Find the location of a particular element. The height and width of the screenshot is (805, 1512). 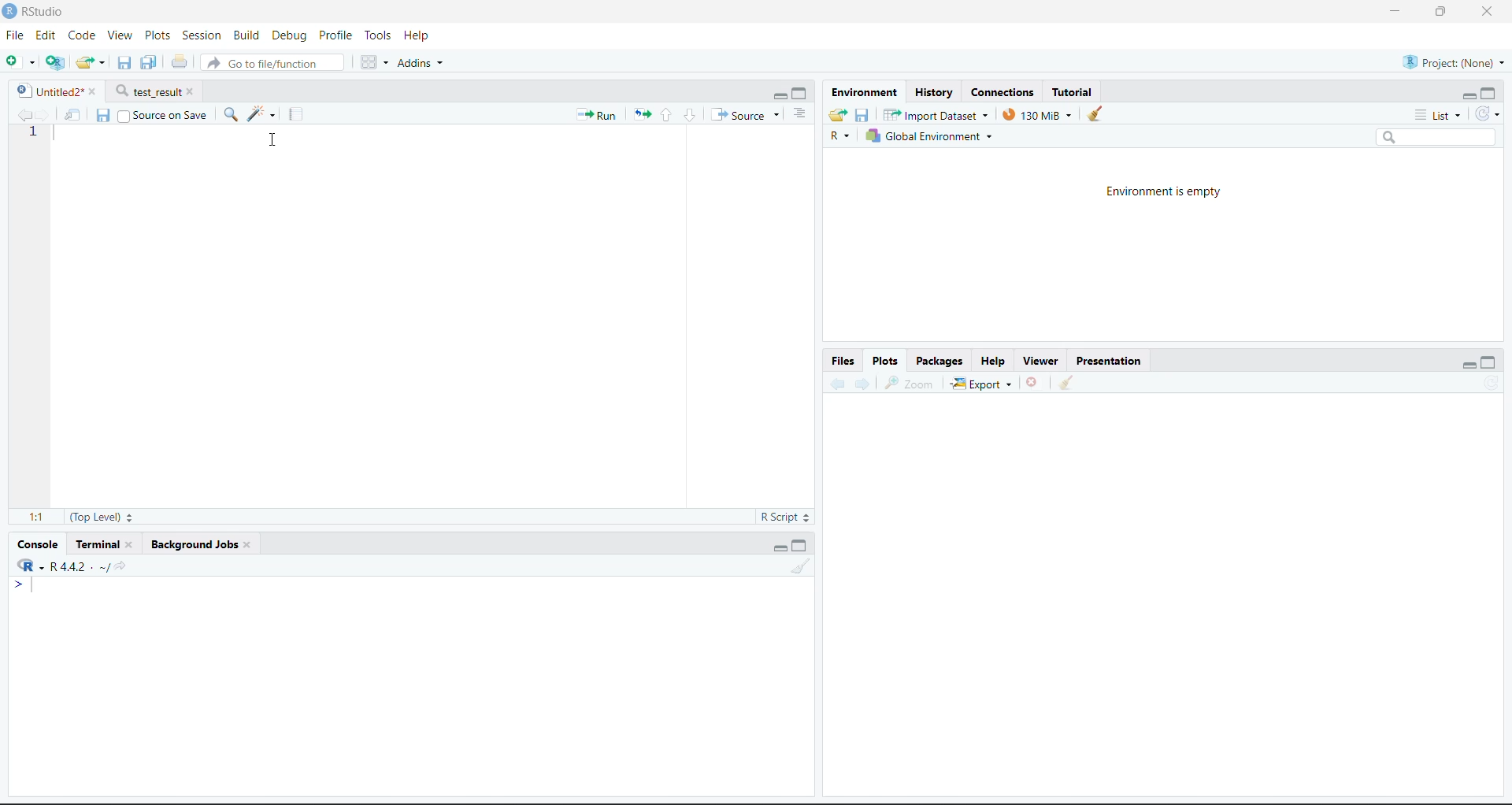

Background Jobs is located at coordinates (203, 540).